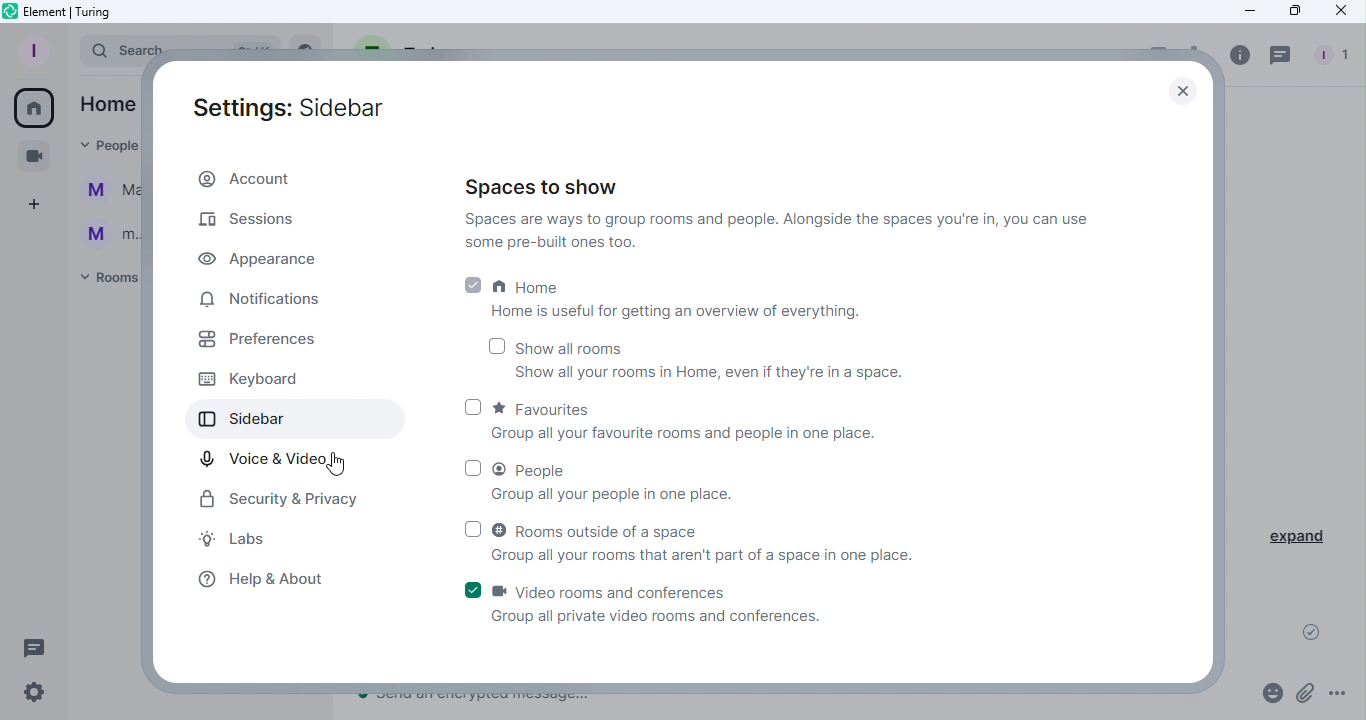 This screenshot has height=720, width=1366. Describe the element at coordinates (286, 102) in the screenshot. I see `Setting: Sidebar` at that location.